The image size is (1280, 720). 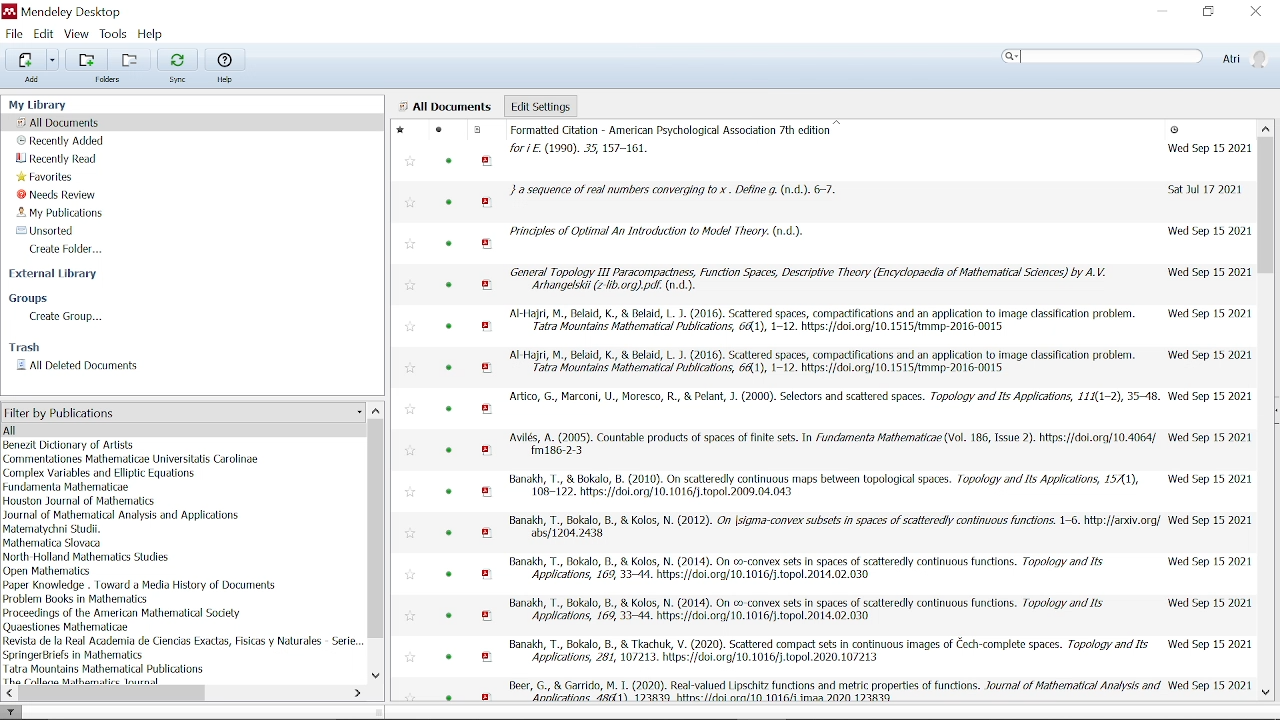 What do you see at coordinates (450, 369) in the screenshot?
I see `status` at bounding box center [450, 369].